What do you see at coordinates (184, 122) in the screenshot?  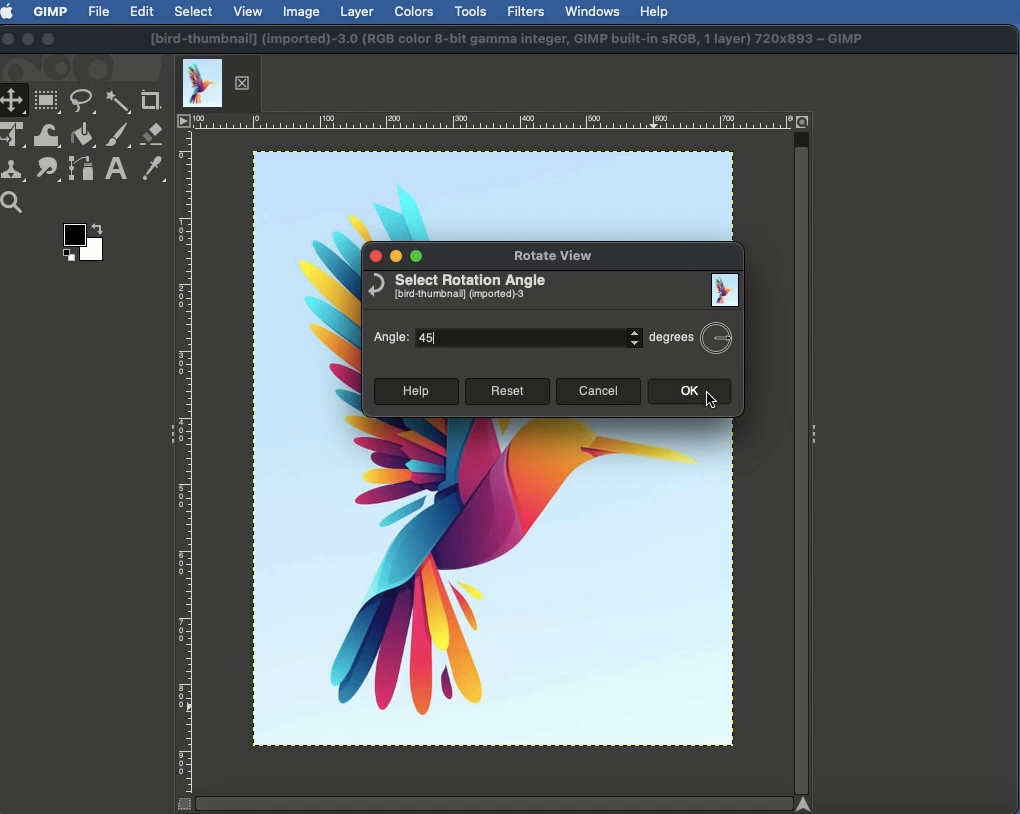 I see `Access the image menu` at bounding box center [184, 122].